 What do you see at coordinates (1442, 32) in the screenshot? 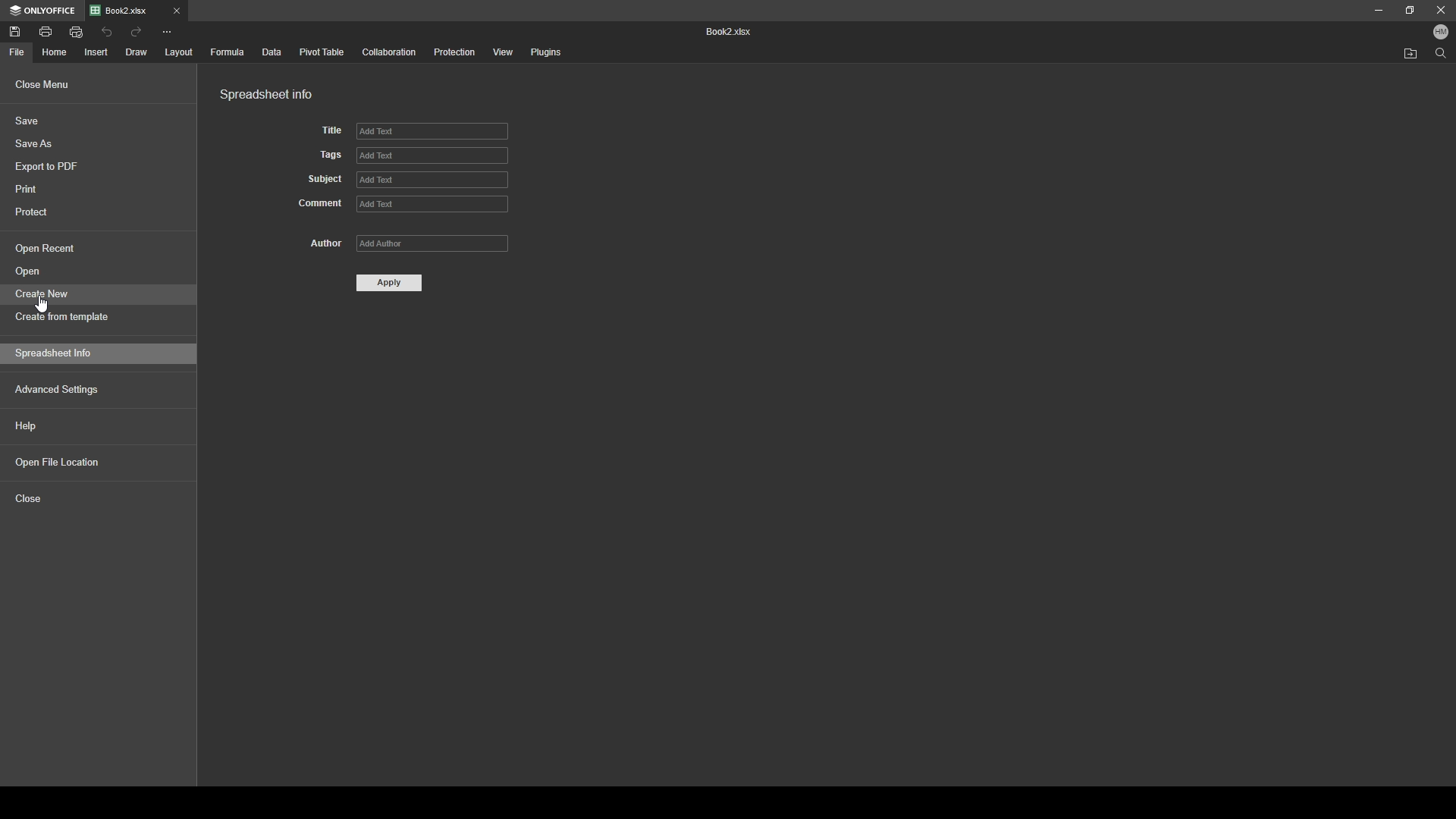
I see `profile` at bounding box center [1442, 32].